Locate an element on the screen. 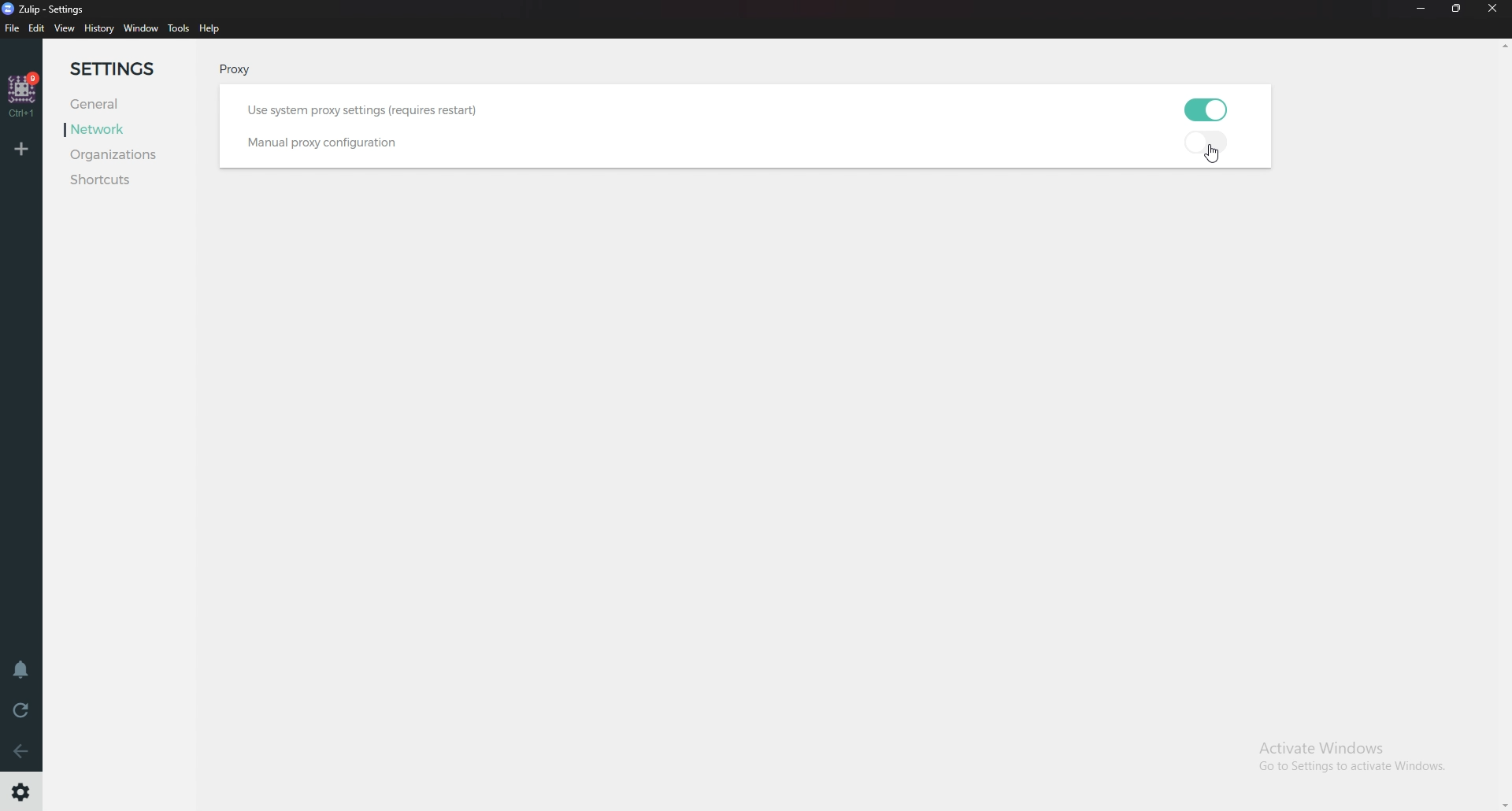  General is located at coordinates (106, 105).